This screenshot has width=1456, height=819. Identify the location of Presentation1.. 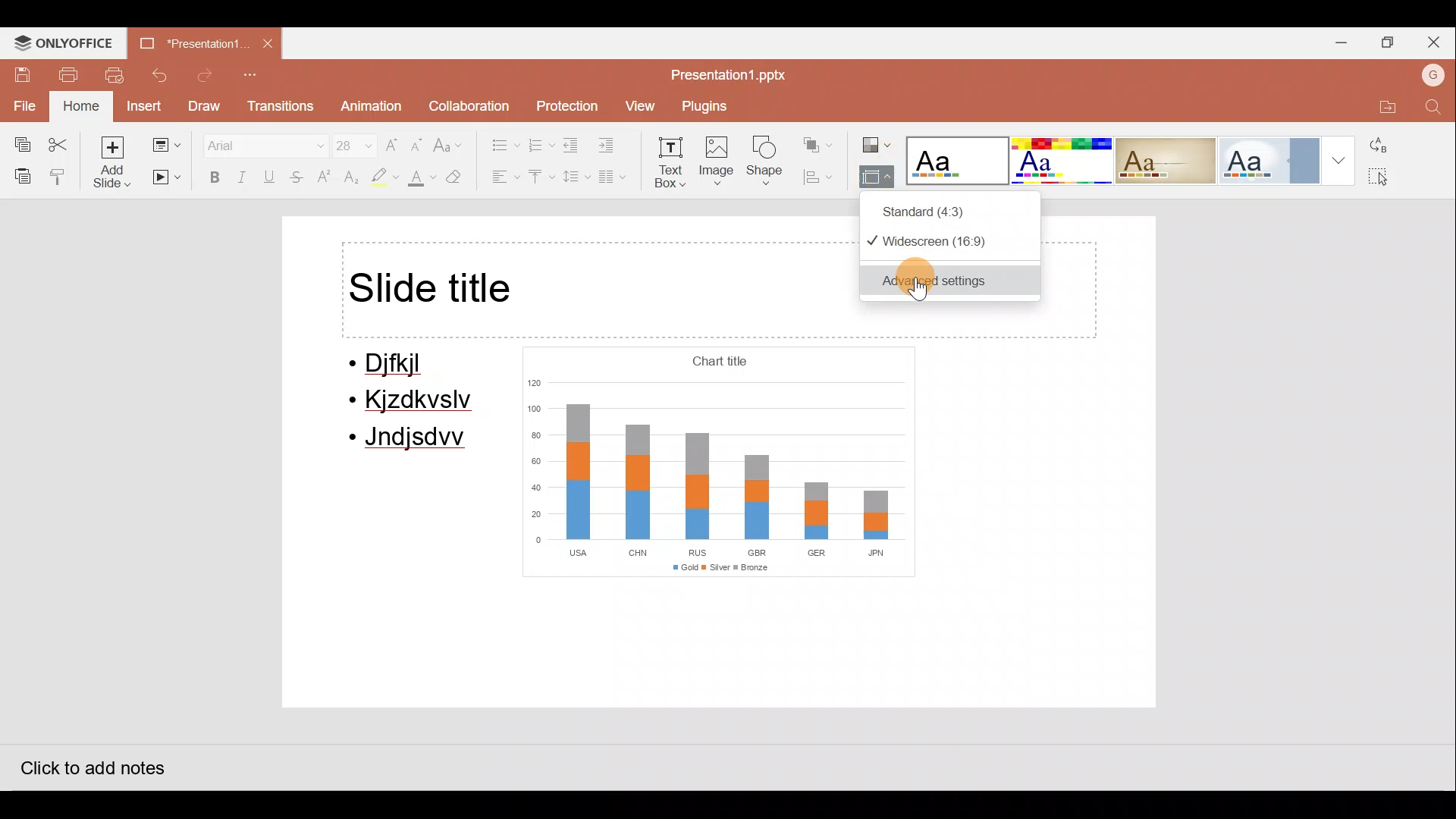
(187, 42).